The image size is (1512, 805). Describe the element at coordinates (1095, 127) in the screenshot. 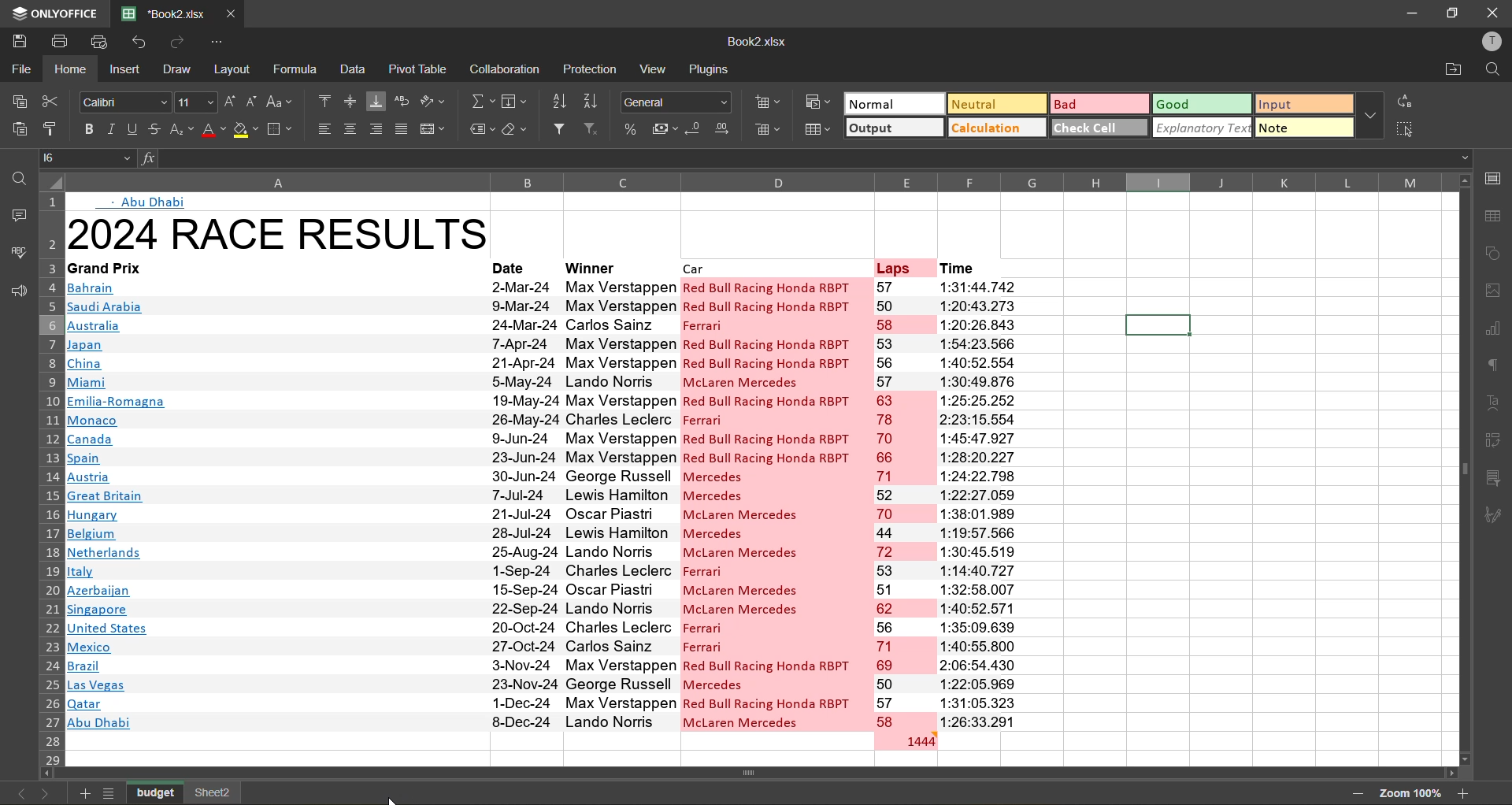

I see `check cell` at that location.